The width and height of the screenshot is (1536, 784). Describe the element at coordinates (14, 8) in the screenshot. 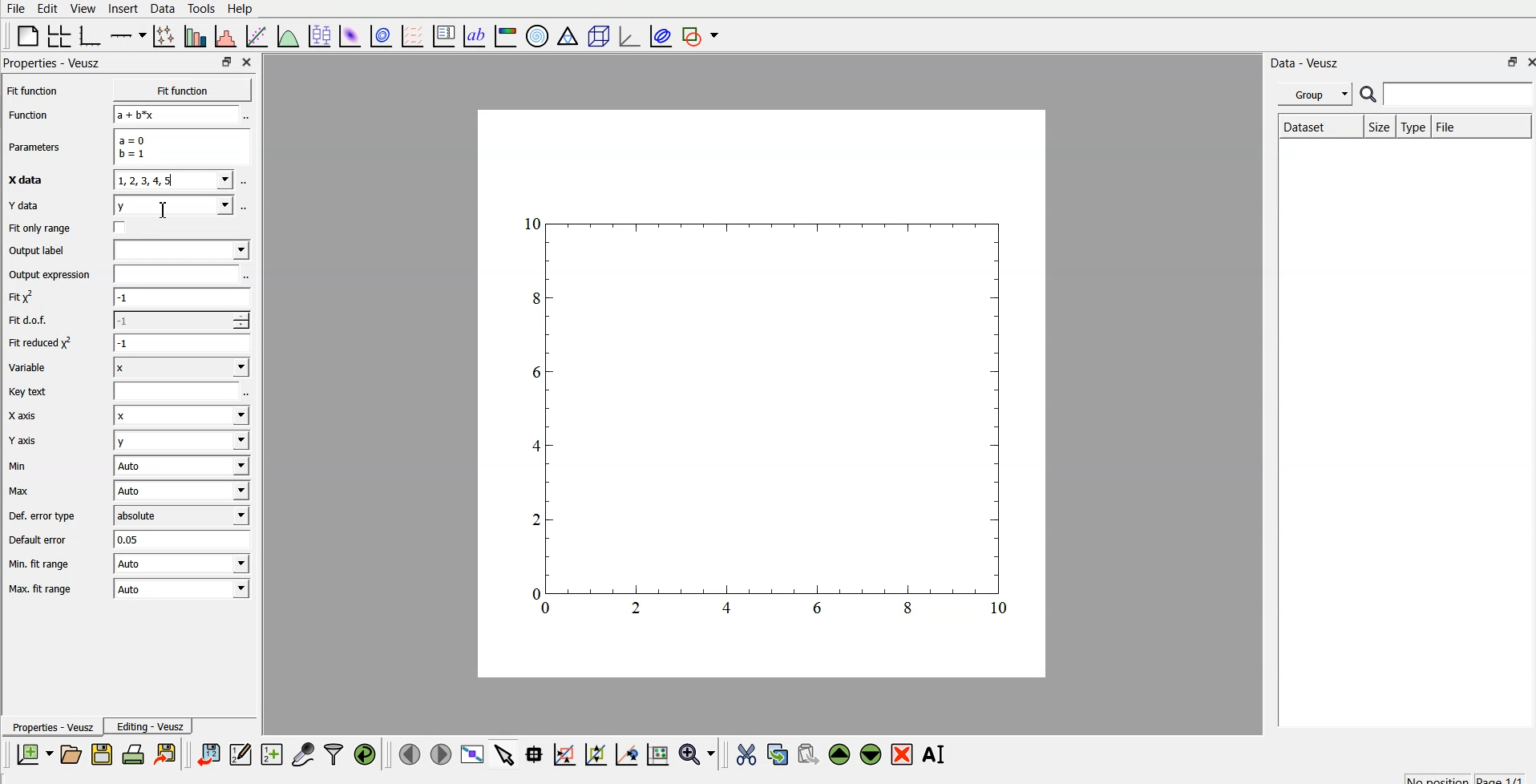

I see `file` at that location.